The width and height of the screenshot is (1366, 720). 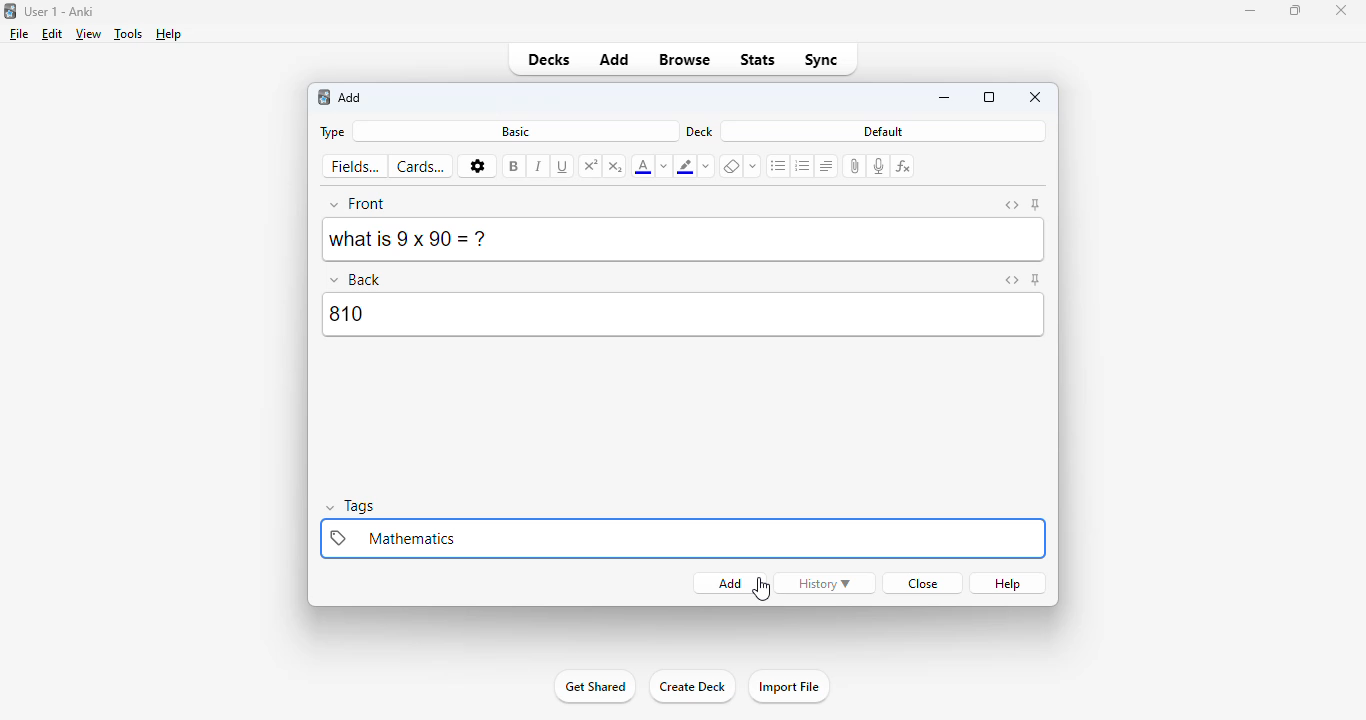 What do you see at coordinates (358, 278) in the screenshot?
I see `back` at bounding box center [358, 278].